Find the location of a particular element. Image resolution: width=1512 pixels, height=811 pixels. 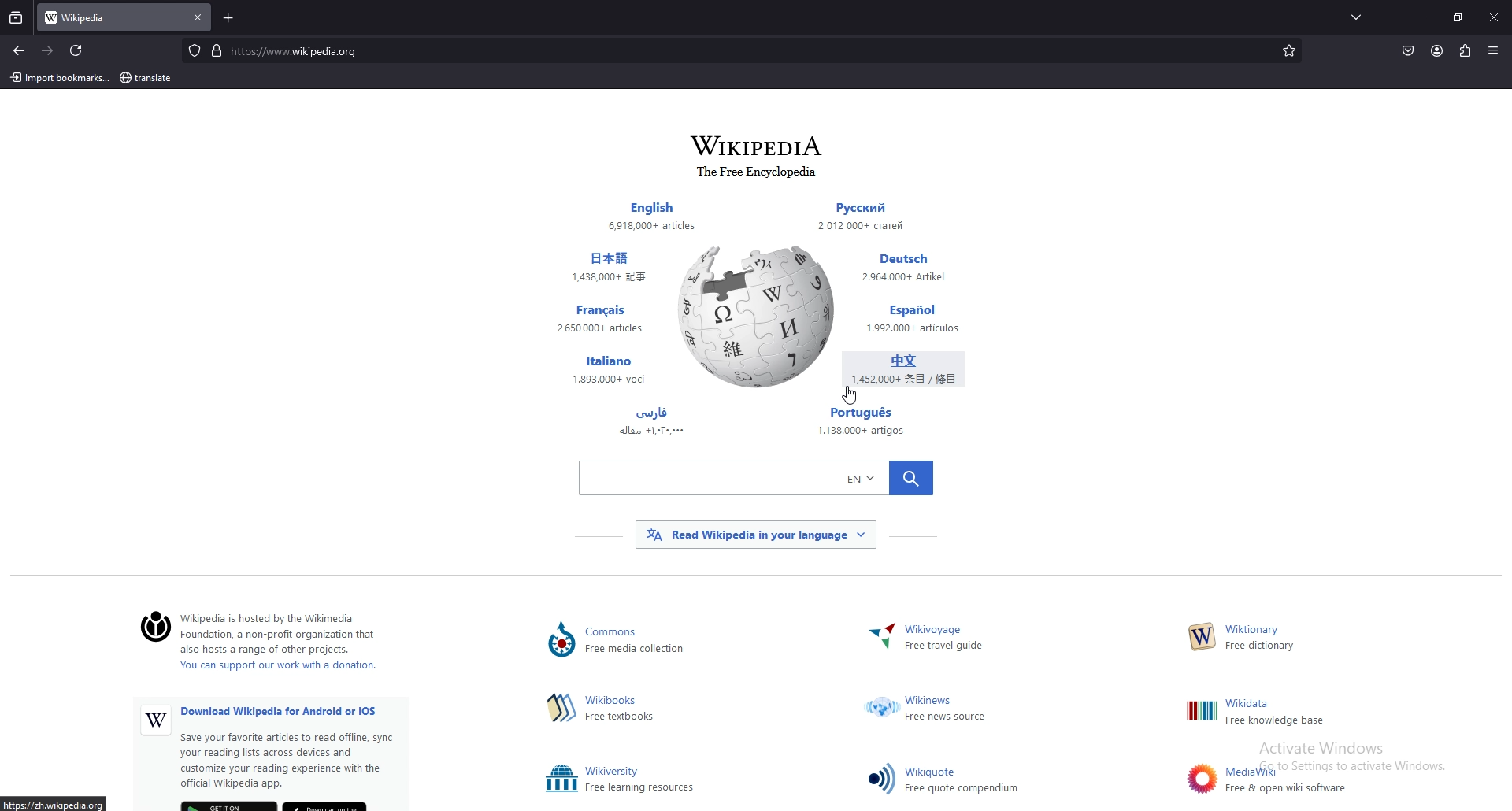

 is located at coordinates (880, 220).